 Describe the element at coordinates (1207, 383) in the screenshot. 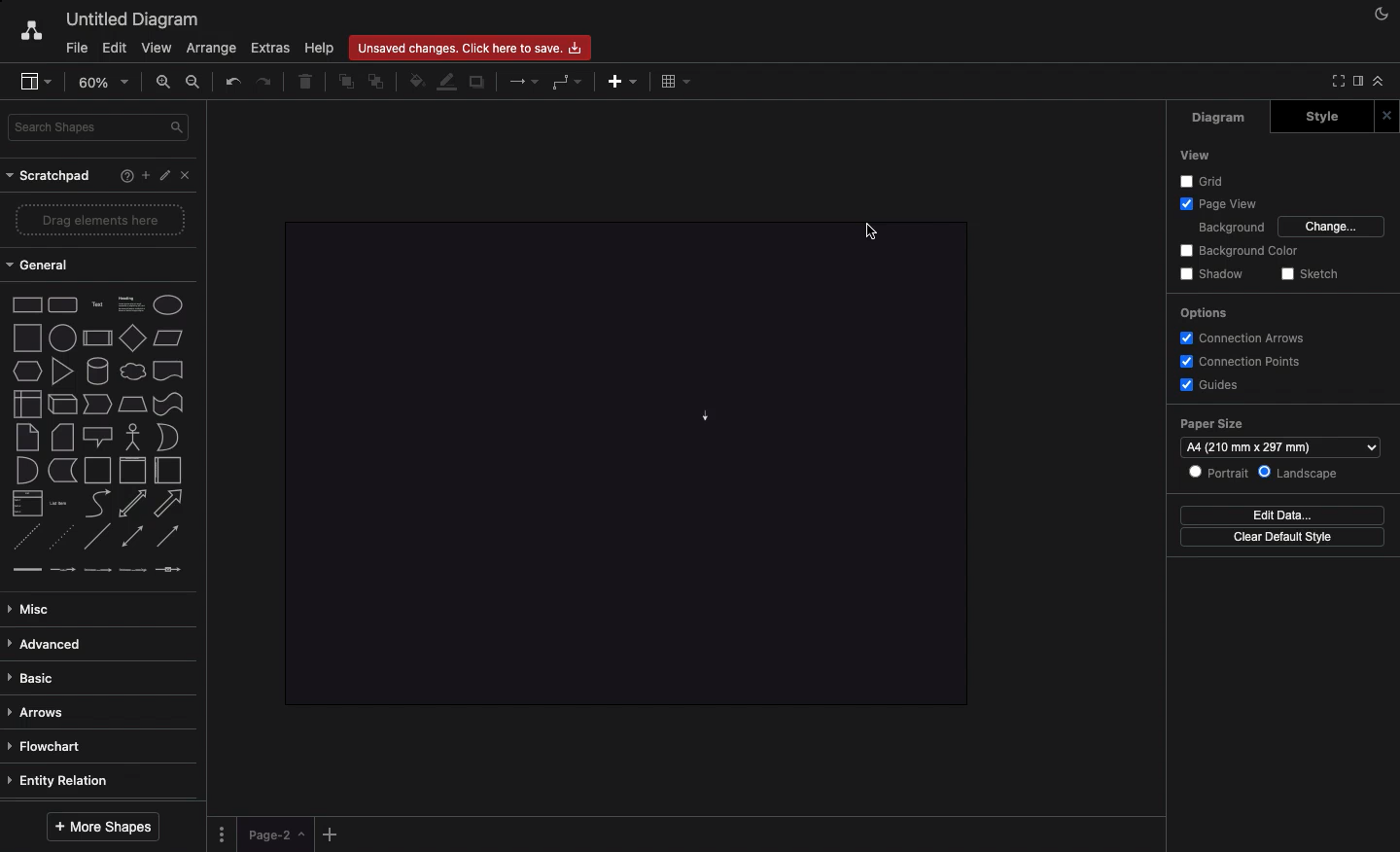

I see `Guides` at that location.